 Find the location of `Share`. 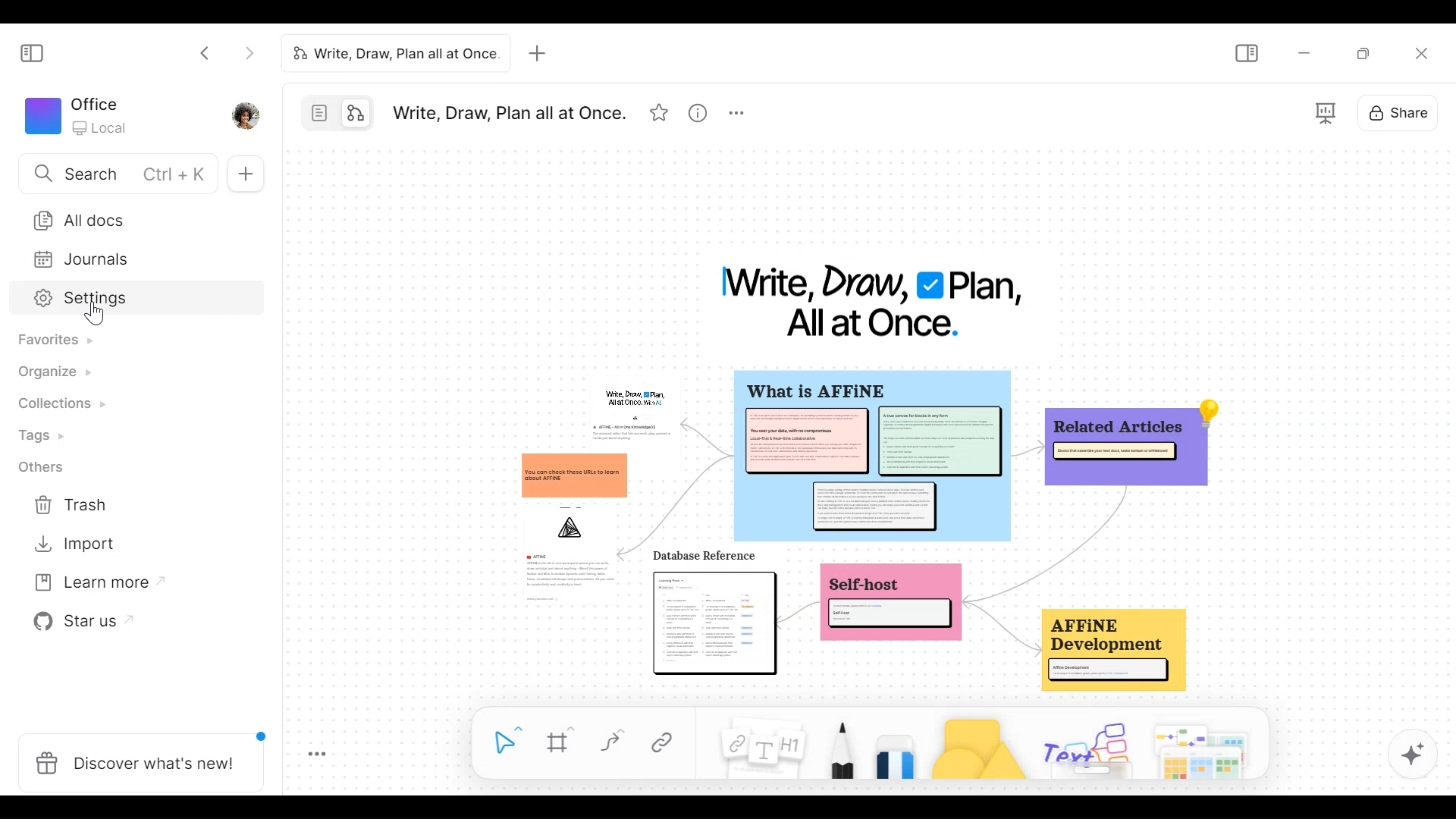

Share is located at coordinates (1396, 115).